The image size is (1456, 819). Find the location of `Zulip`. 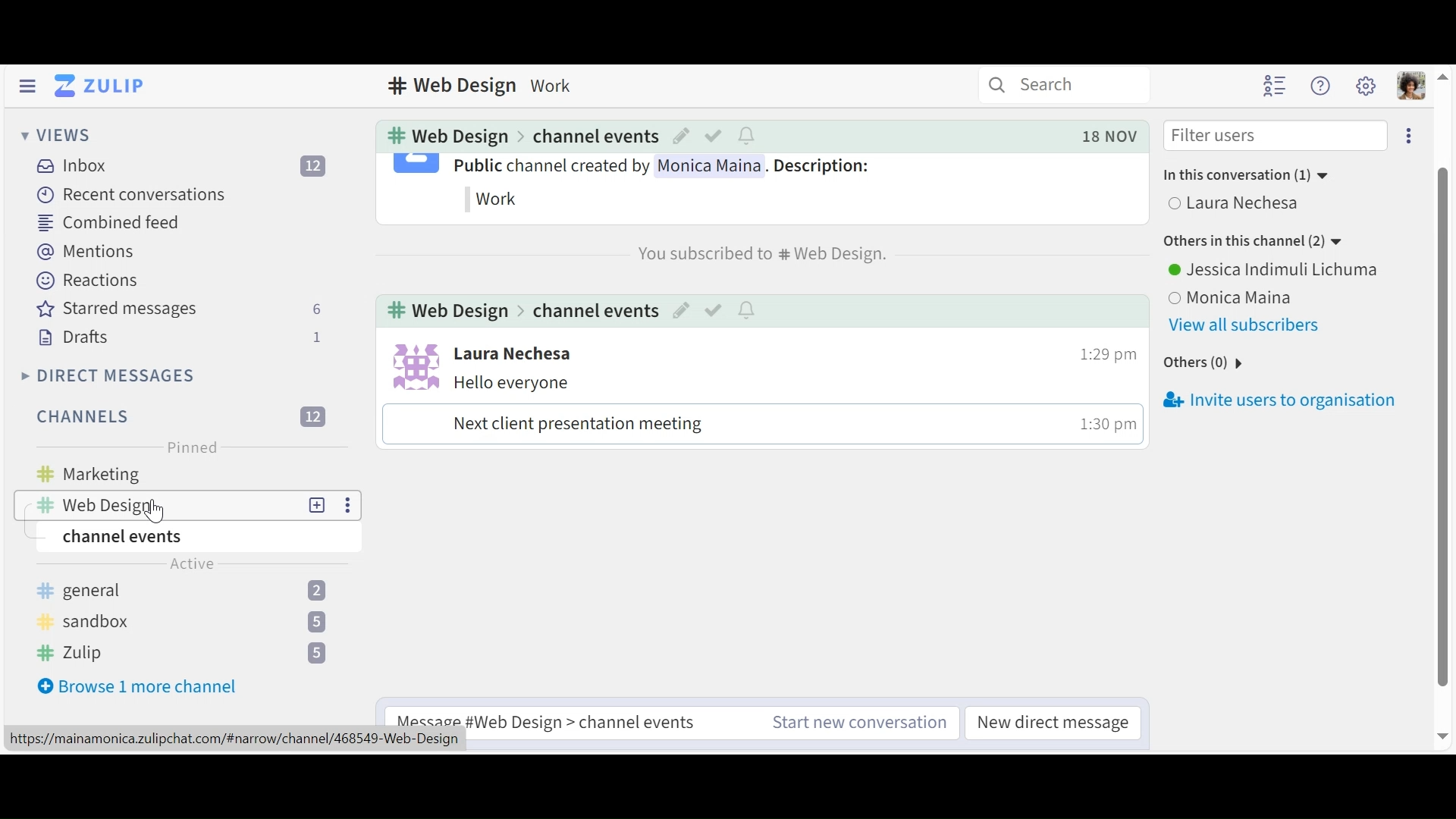

Zulip is located at coordinates (185, 656).